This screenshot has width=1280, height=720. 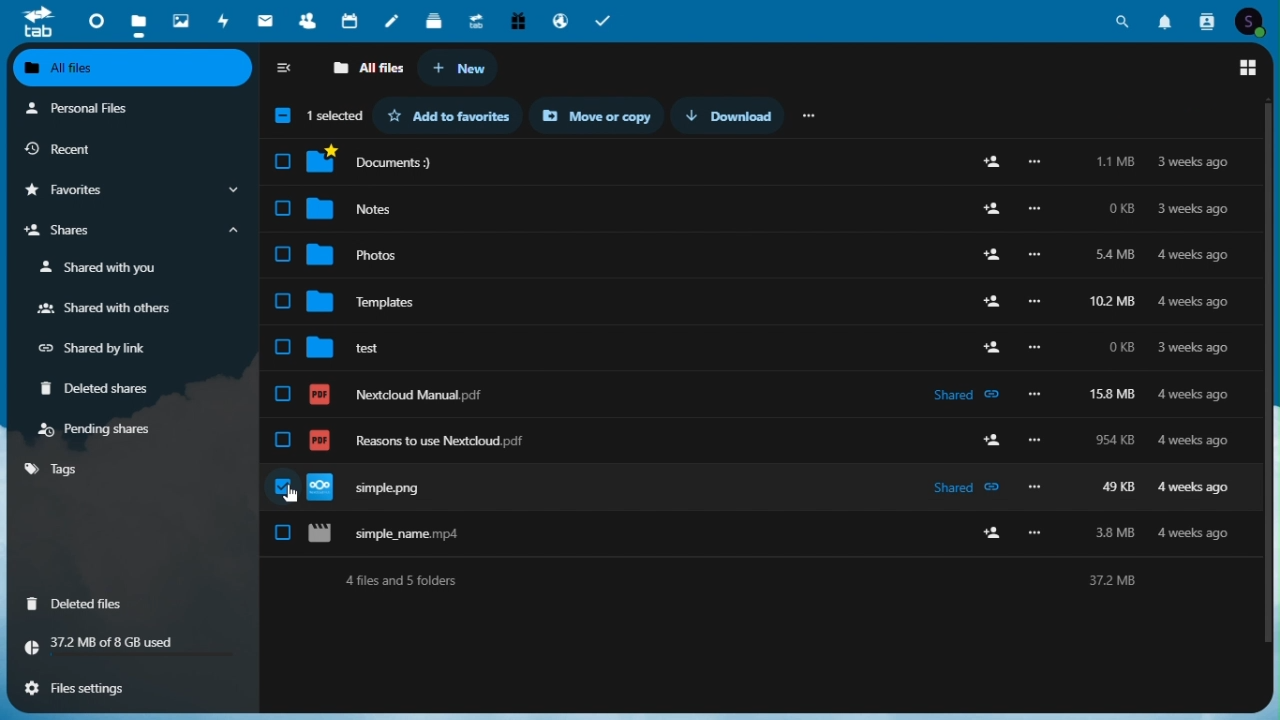 I want to click on shared with you, so click(x=103, y=268).